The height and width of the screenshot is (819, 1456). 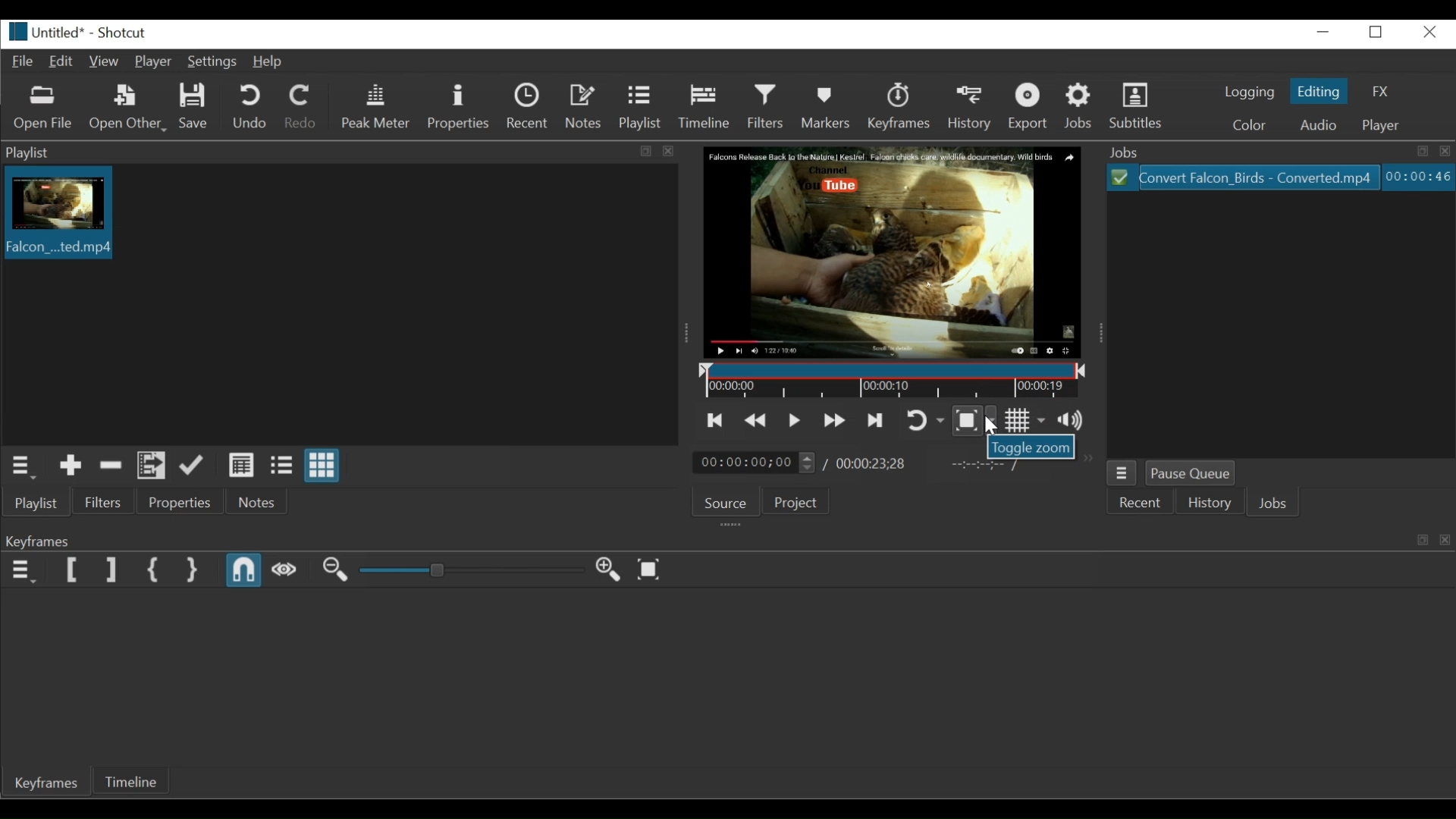 What do you see at coordinates (1241, 177) in the screenshot?
I see `File` at bounding box center [1241, 177].